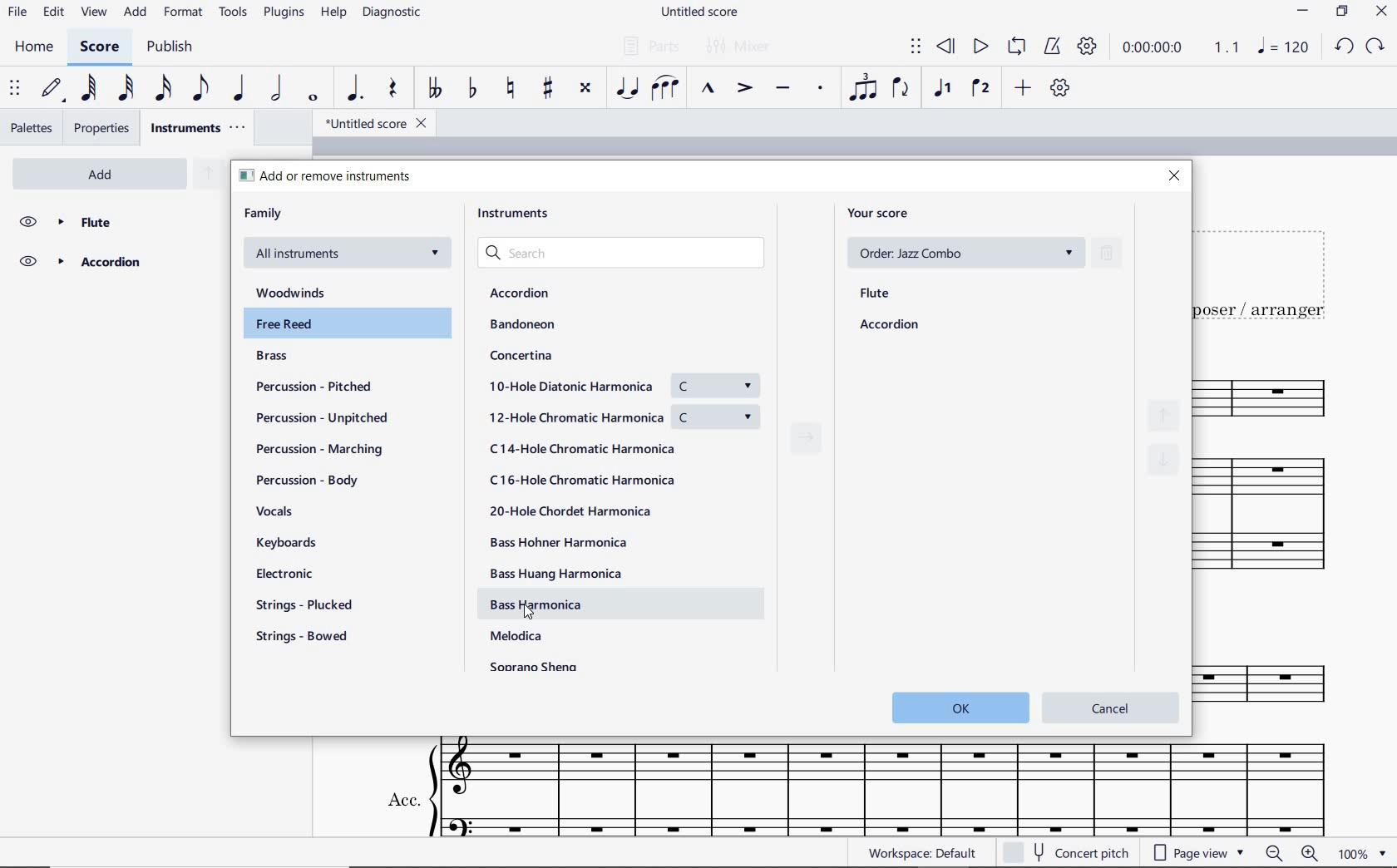 Image resolution: width=1397 pixels, height=868 pixels. What do you see at coordinates (668, 89) in the screenshot?
I see `slur` at bounding box center [668, 89].